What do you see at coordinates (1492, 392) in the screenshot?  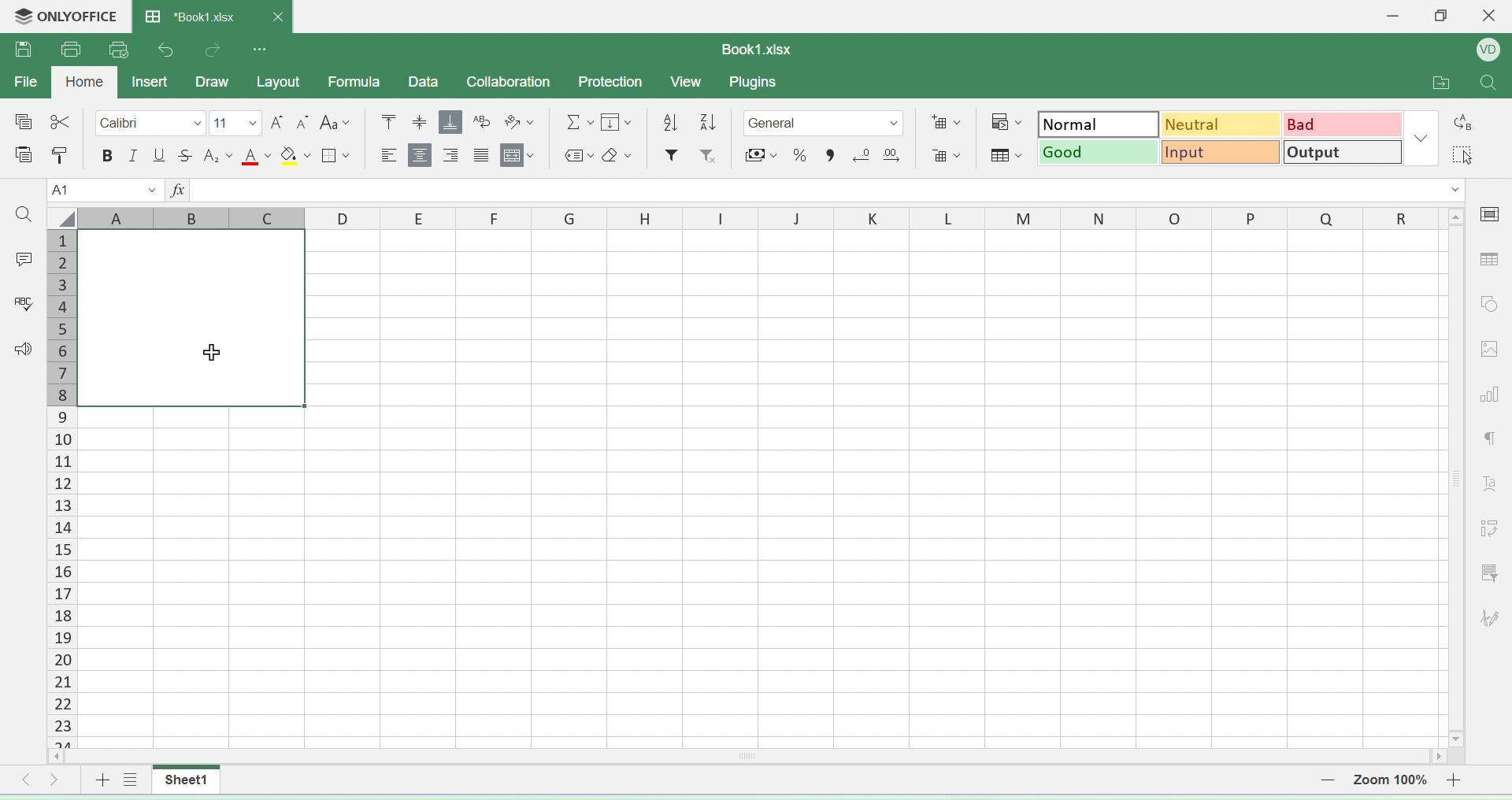 I see `chart` at bounding box center [1492, 392].